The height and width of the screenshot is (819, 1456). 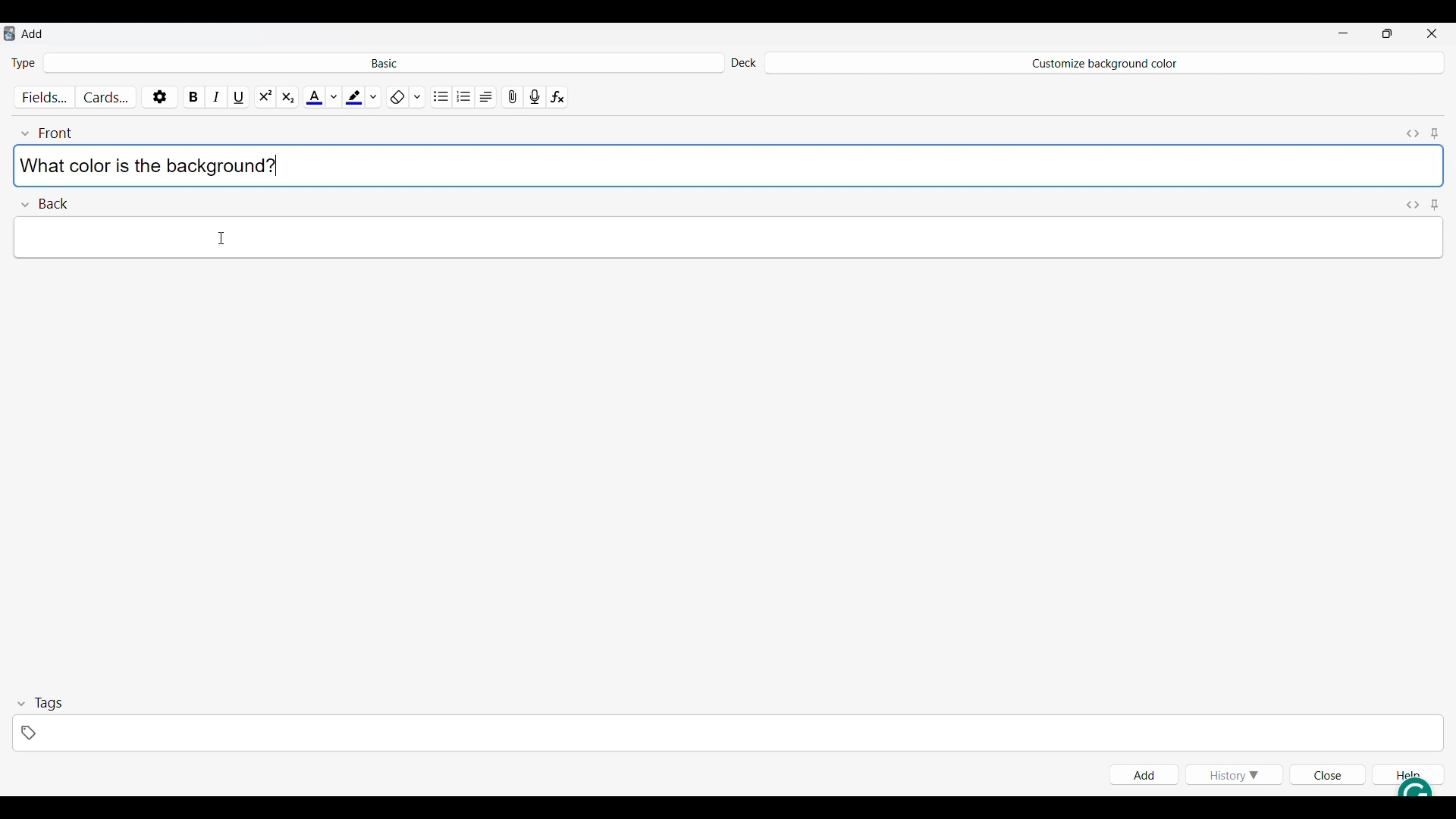 What do you see at coordinates (384, 61) in the screenshot?
I see `Click to select card type in deck` at bounding box center [384, 61].